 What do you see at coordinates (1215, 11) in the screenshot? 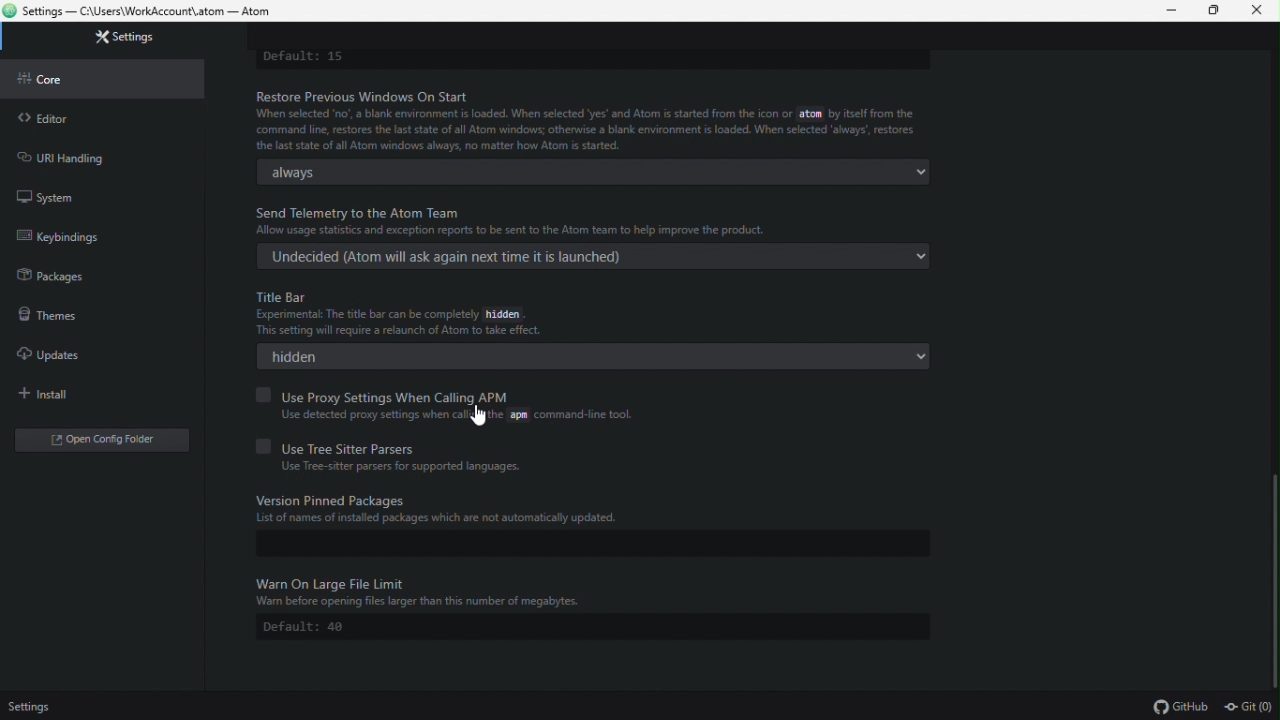
I see `restore` at bounding box center [1215, 11].